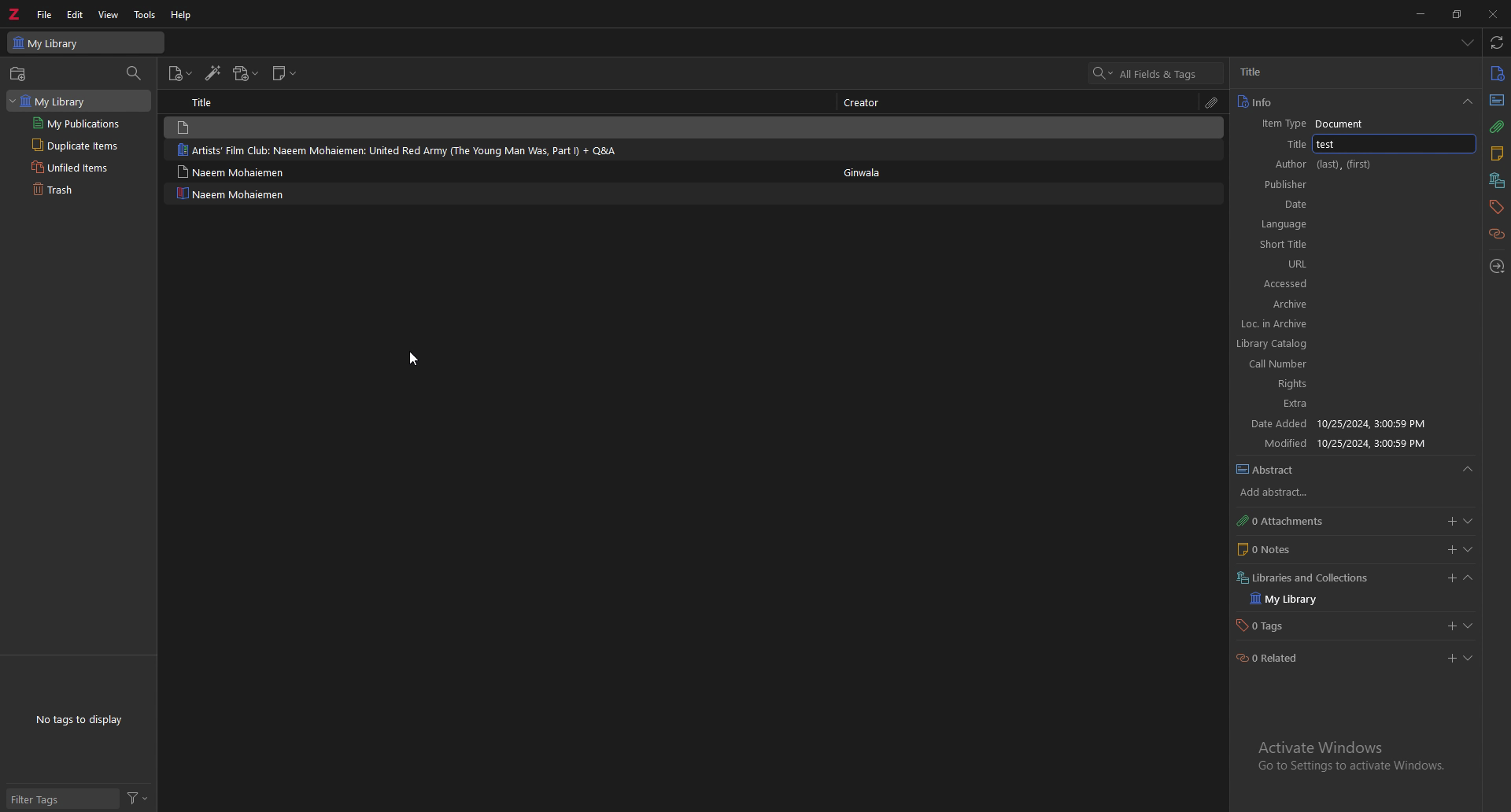 Image resolution: width=1511 pixels, height=812 pixels. What do you see at coordinates (1280, 523) in the screenshot?
I see `library catalog` at bounding box center [1280, 523].